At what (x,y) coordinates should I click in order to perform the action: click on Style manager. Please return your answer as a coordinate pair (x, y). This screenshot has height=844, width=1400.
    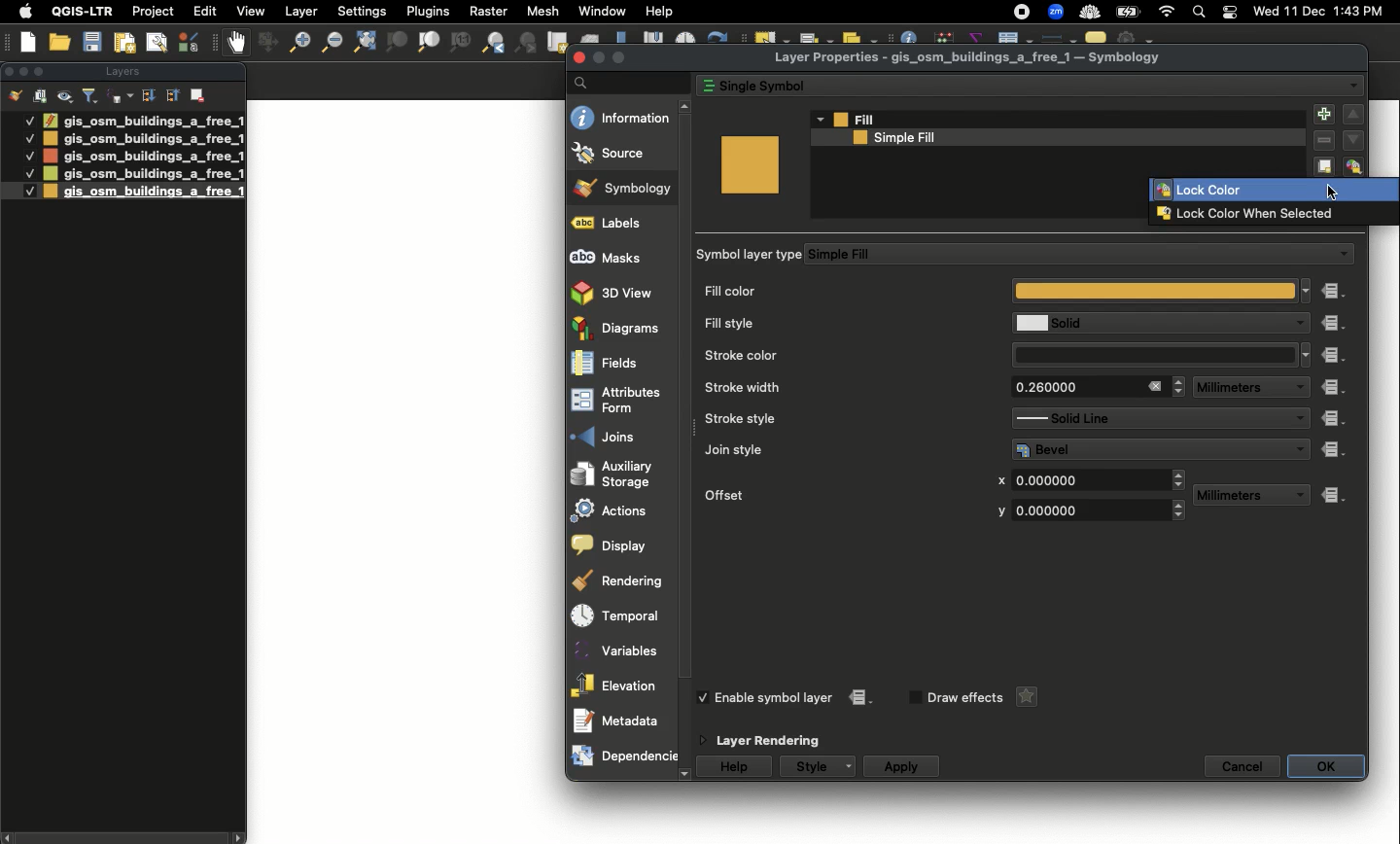
    Looking at the image, I should click on (191, 42).